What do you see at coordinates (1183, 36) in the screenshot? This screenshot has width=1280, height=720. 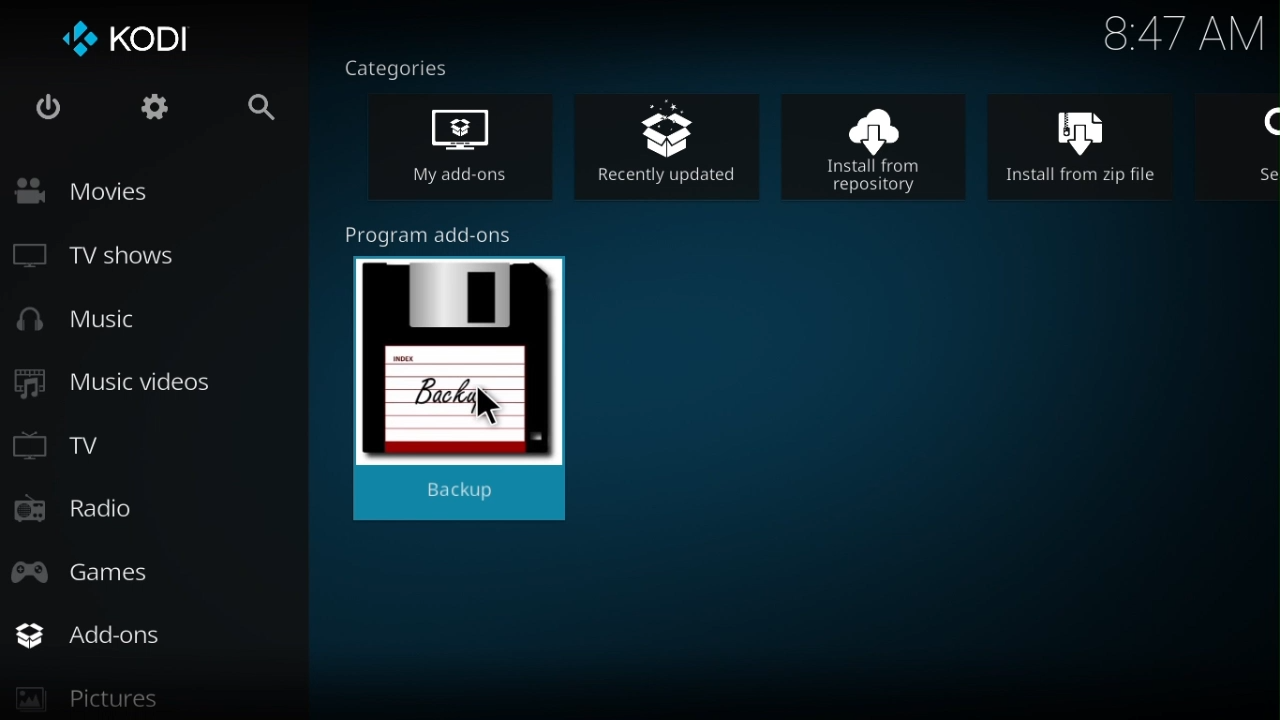 I see `Time` at bounding box center [1183, 36].